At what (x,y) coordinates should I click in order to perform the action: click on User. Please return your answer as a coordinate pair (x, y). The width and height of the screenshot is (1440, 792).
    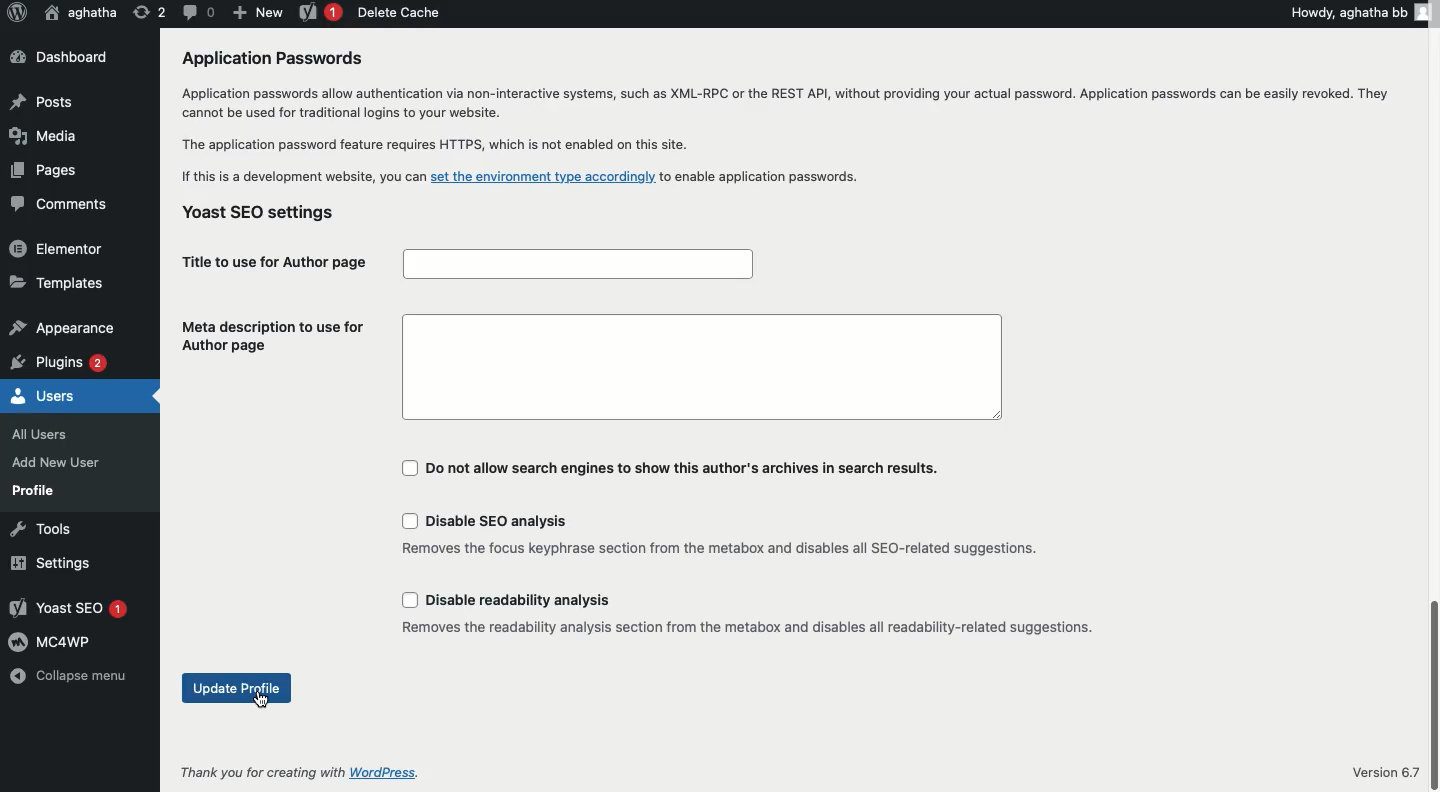
    Looking at the image, I should click on (82, 12).